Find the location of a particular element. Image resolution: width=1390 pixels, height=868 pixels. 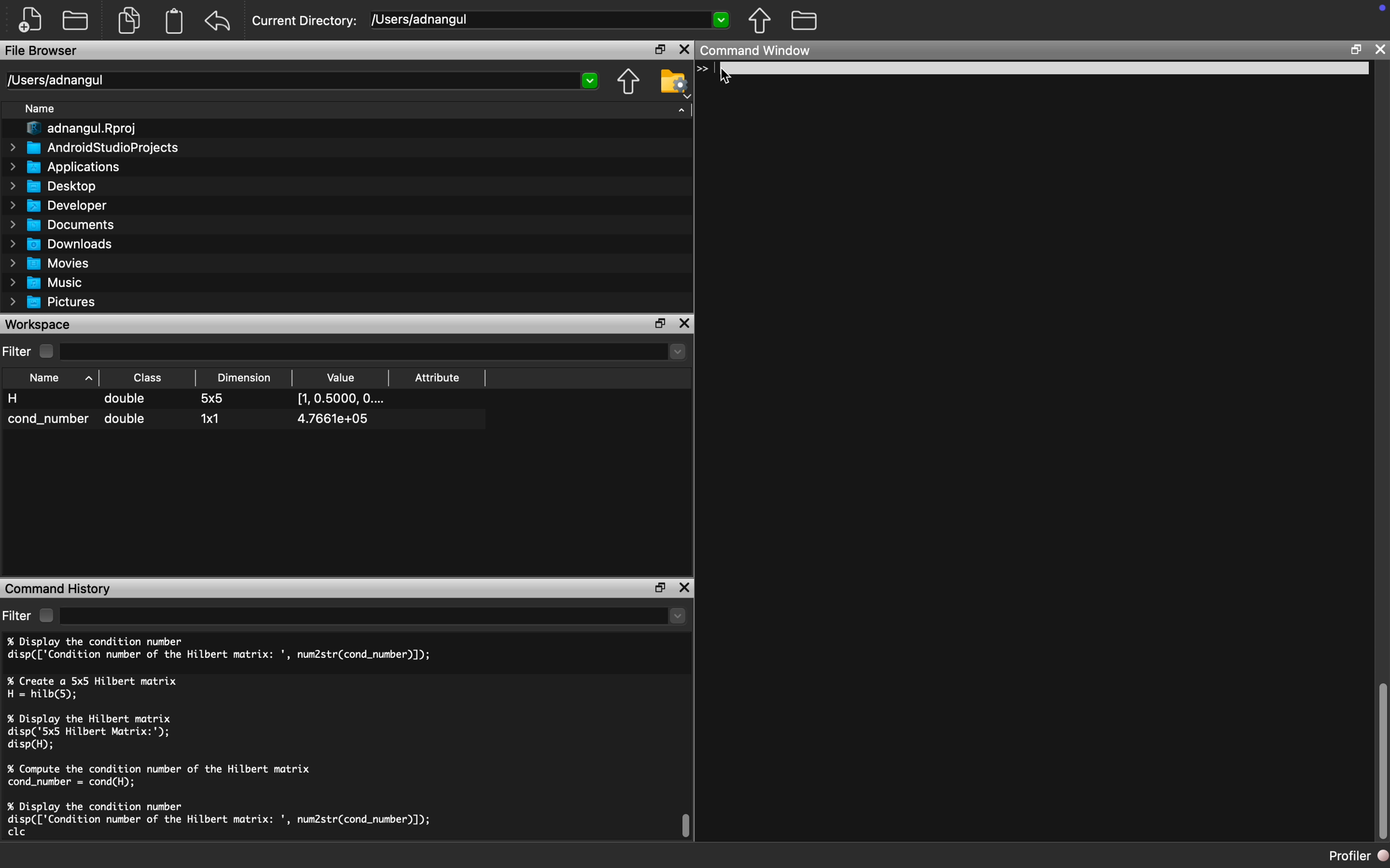

New File is located at coordinates (28, 21).